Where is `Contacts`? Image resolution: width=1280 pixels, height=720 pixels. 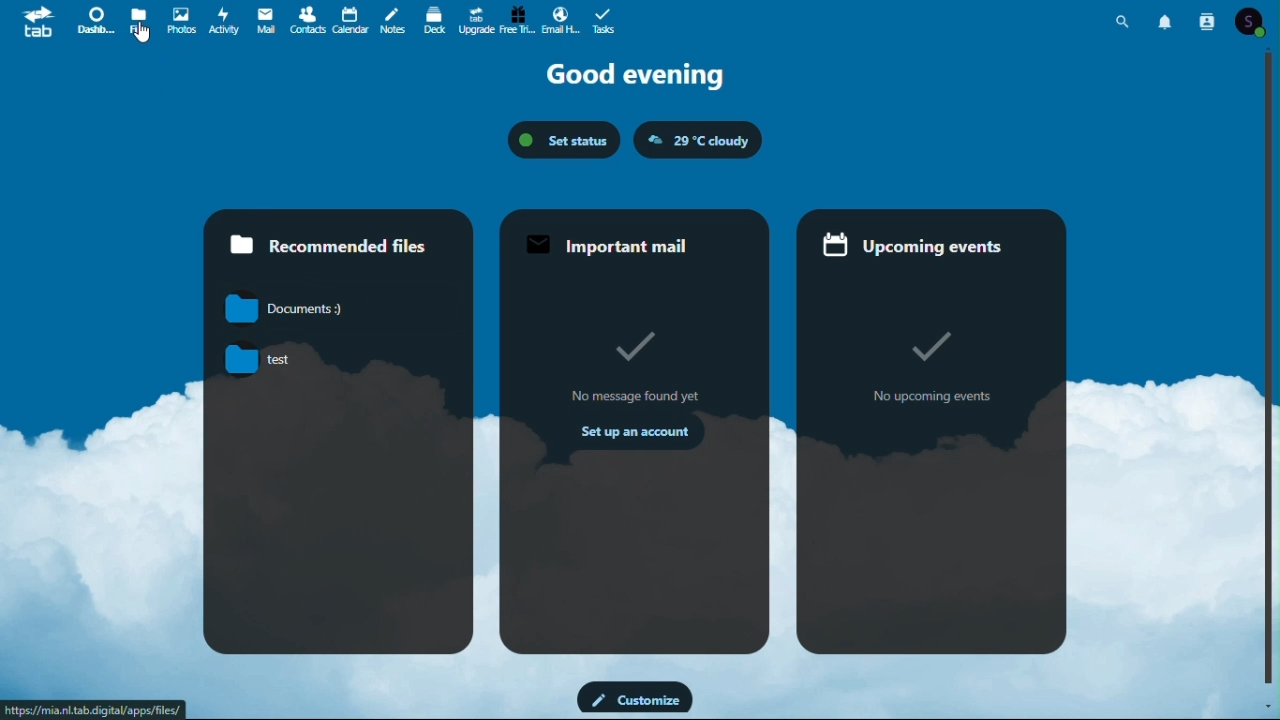 Contacts is located at coordinates (307, 19).